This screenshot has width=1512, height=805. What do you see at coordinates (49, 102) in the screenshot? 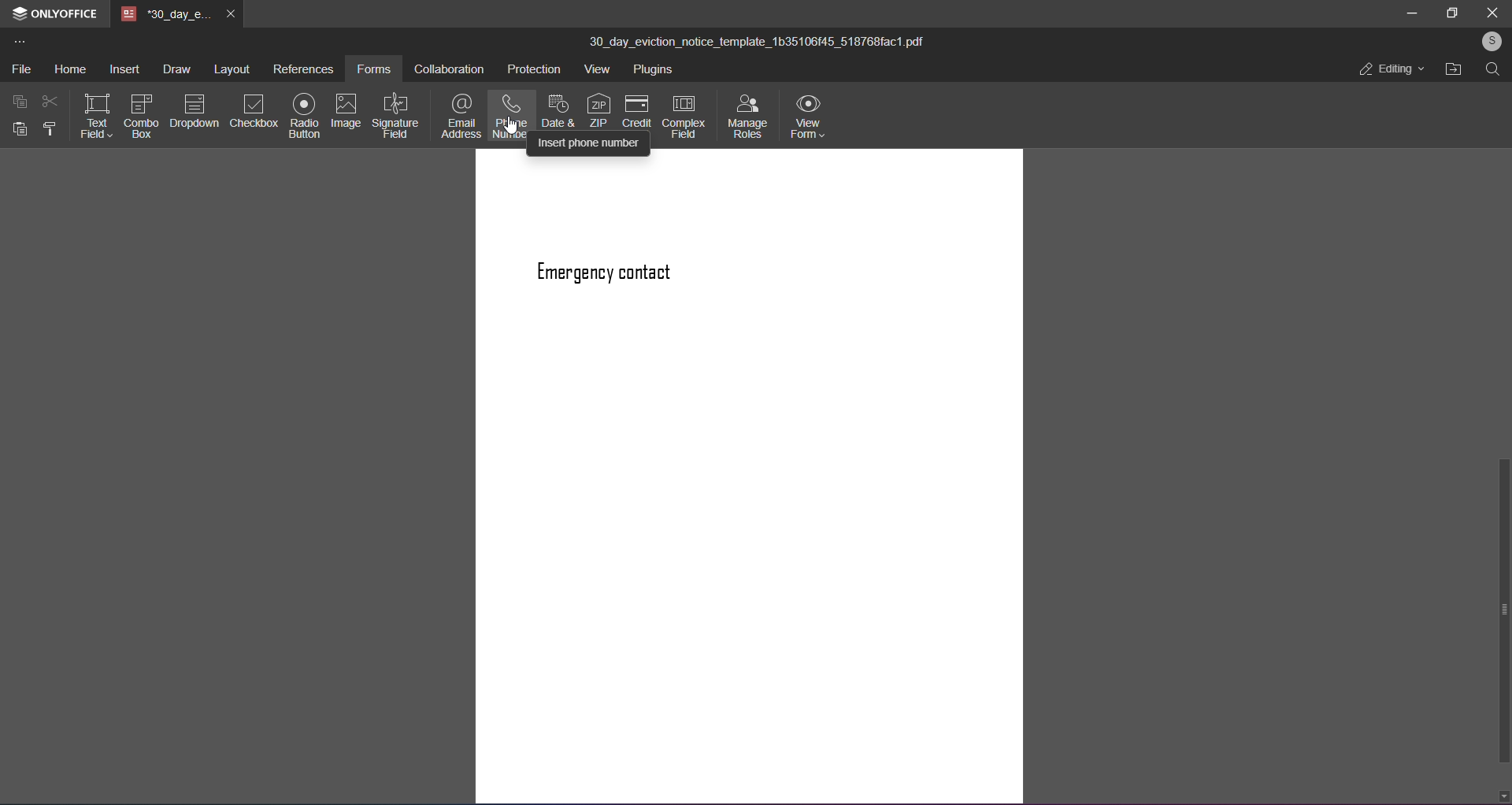
I see `cut` at bounding box center [49, 102].